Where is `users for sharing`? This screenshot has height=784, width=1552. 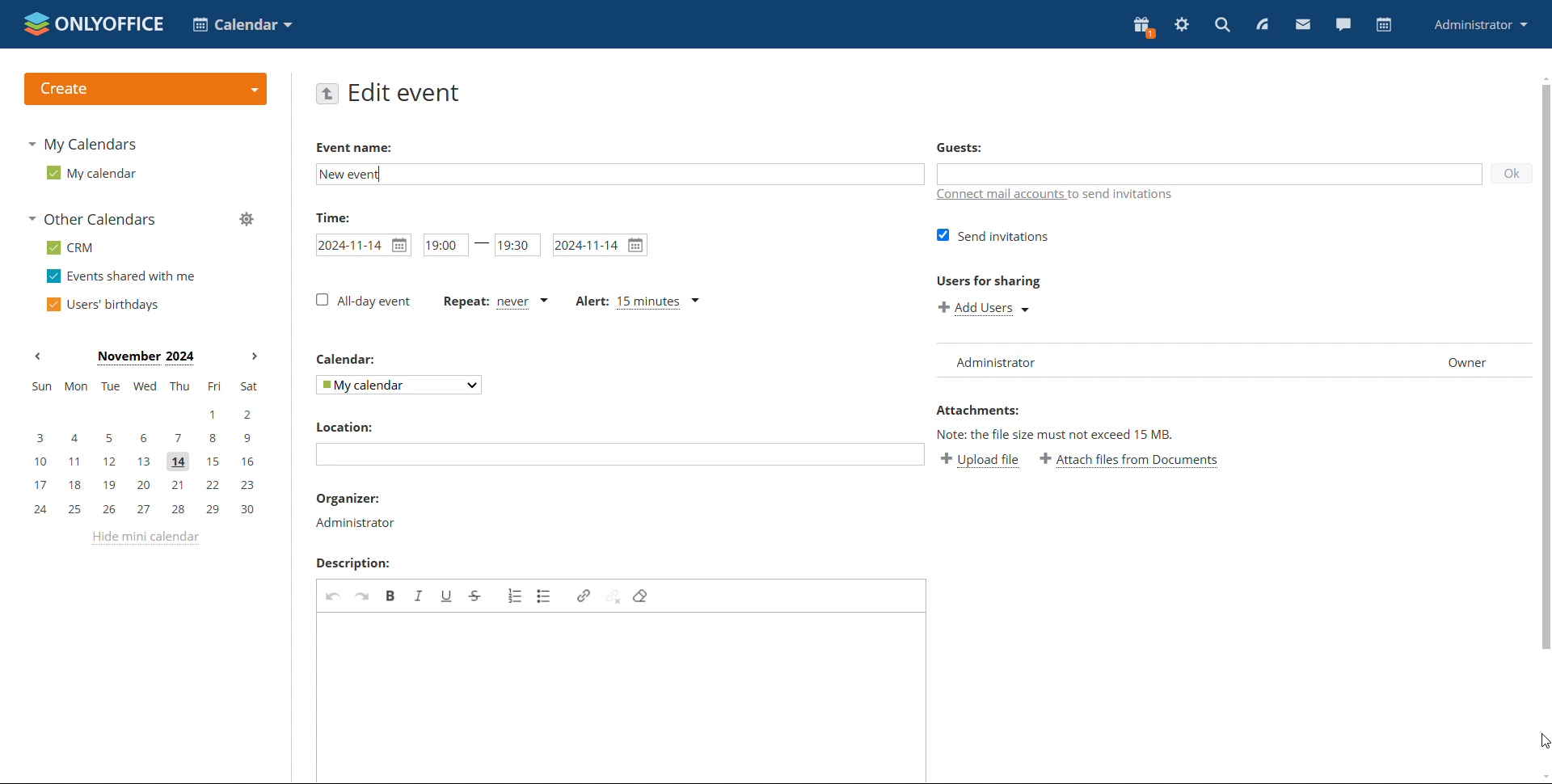
users for sharing is located at coordinates (993, 284).